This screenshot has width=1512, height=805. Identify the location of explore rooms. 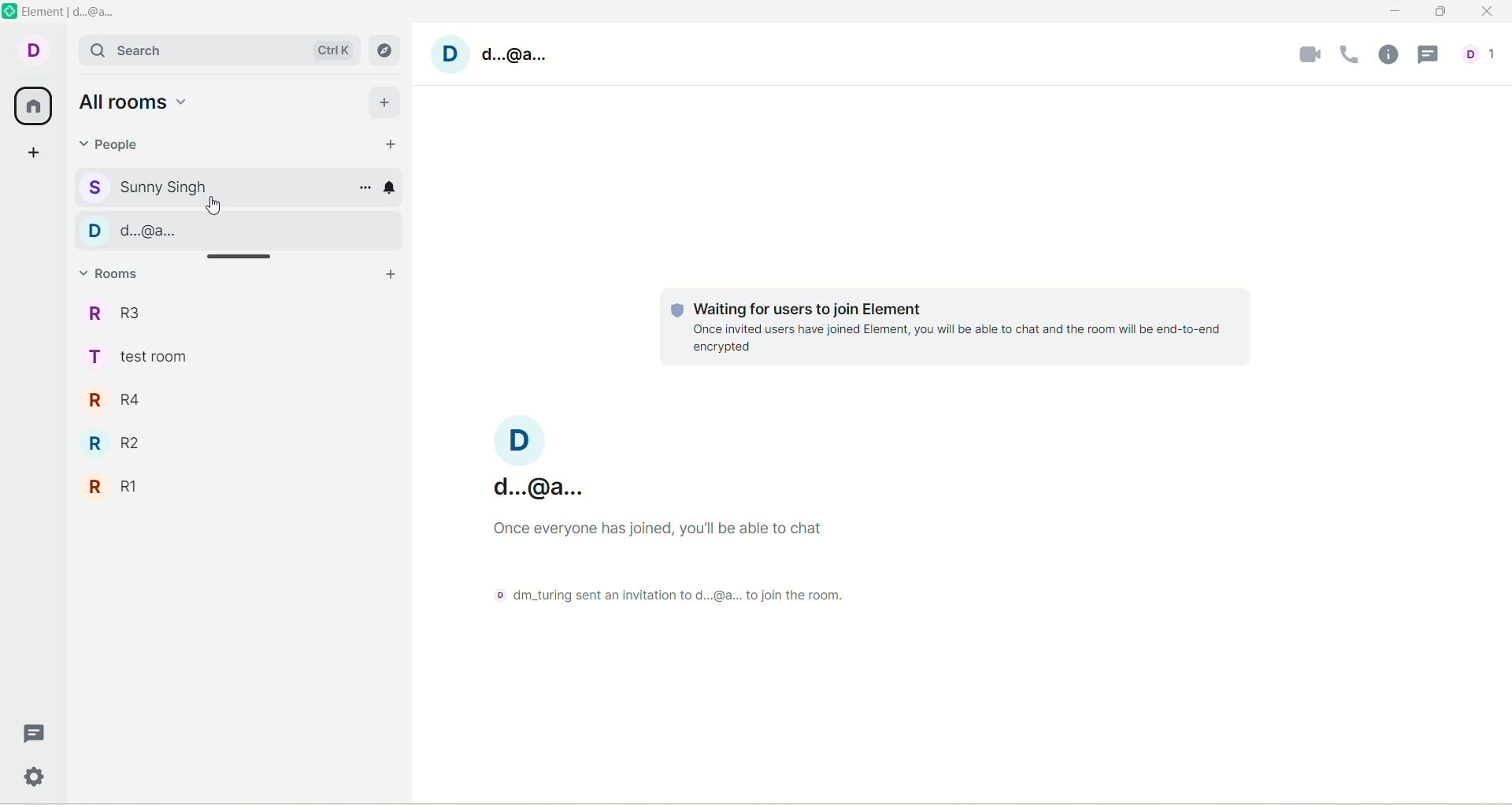
(384, 50).